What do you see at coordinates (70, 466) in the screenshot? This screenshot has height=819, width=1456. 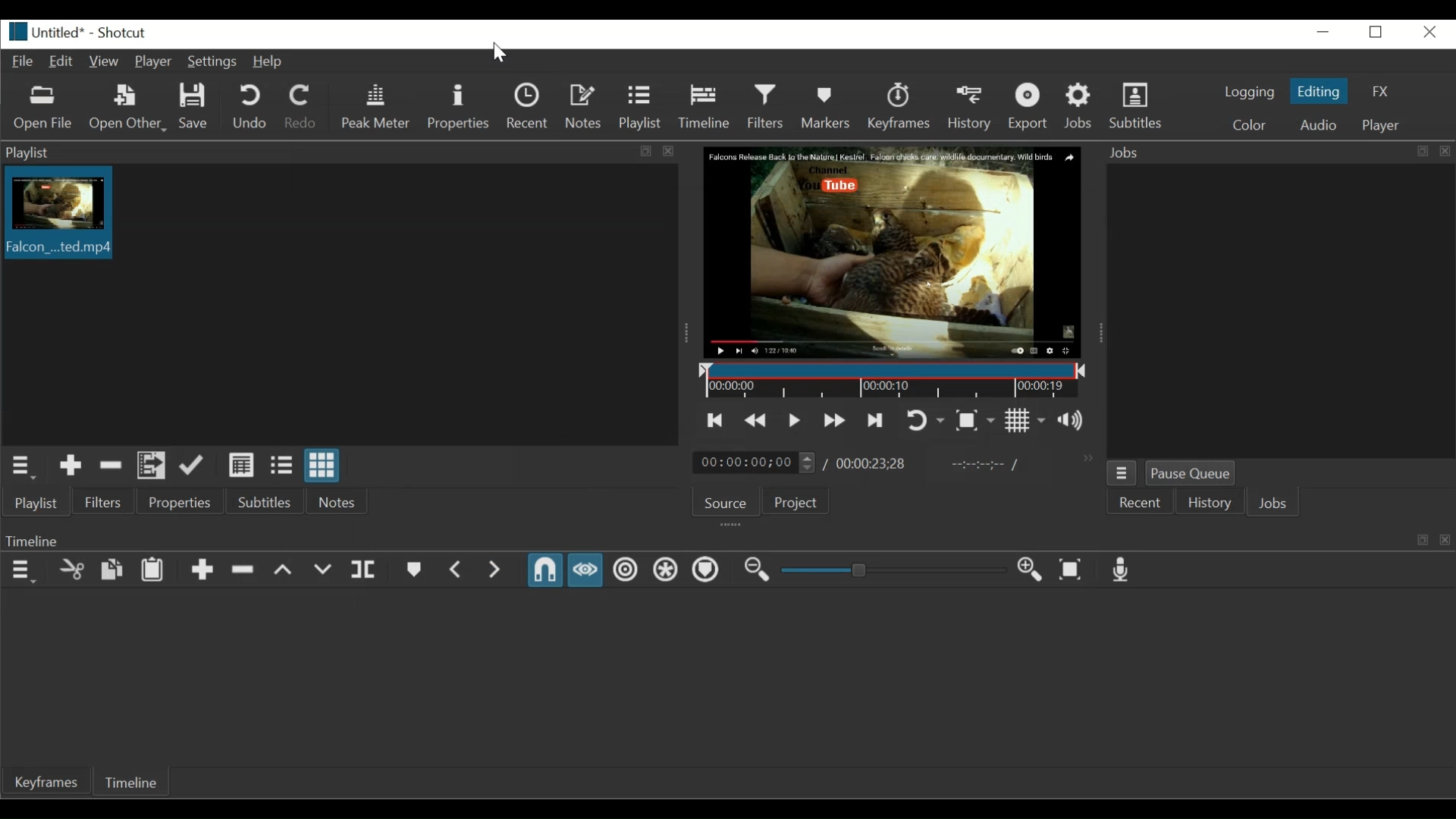 I see `Add to the playlist` at bounding box center [70, 466].